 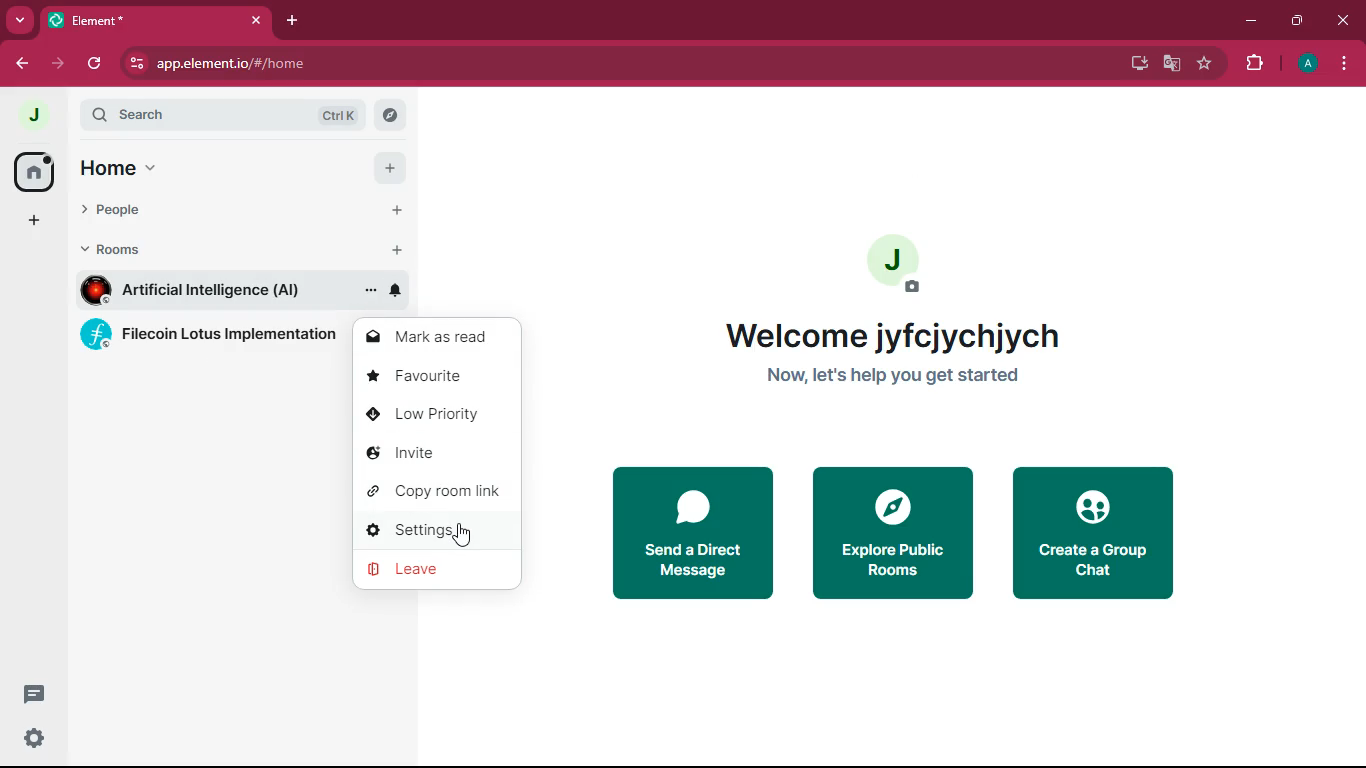 What do you see at coordinates (435, 453) in the screenshot?
I see `invite` at bounding box center [435, 453].